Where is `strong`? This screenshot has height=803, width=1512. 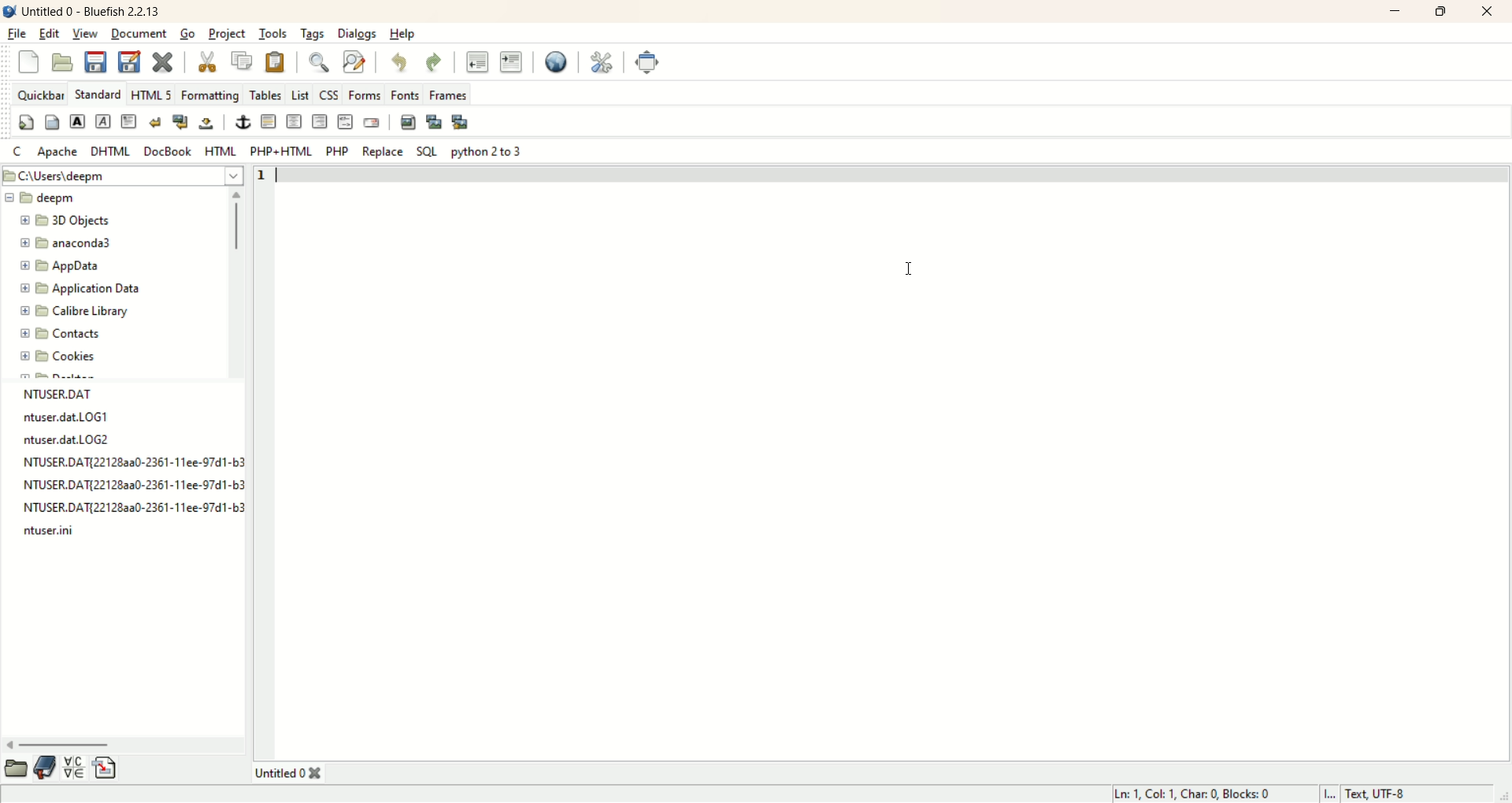 strong is located at coordinates (79, 121).